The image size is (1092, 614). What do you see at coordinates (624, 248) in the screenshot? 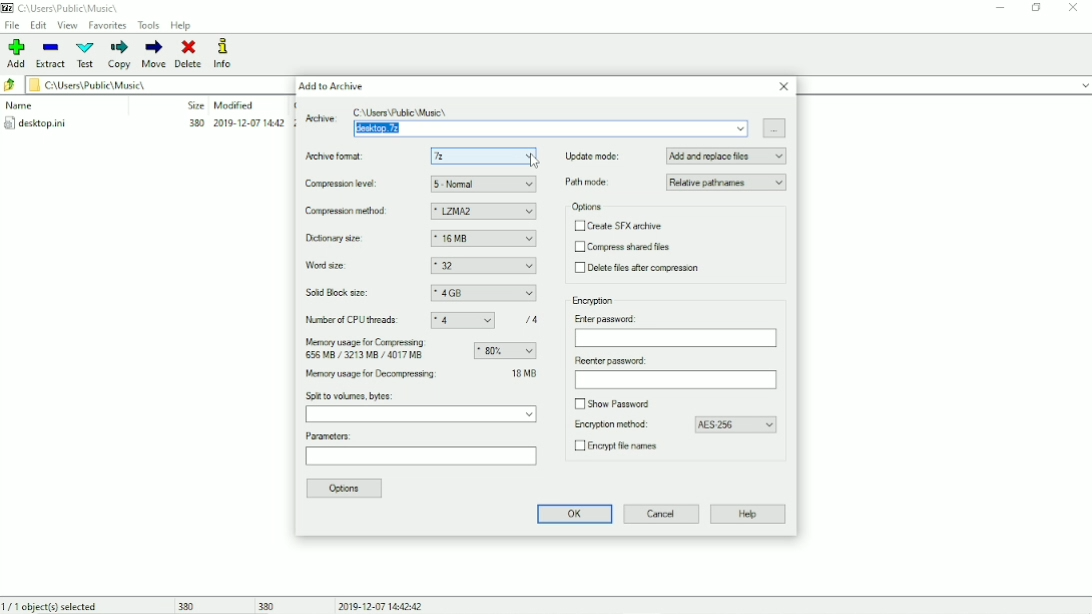
I see `Compress shared files` at bounding box center [624, 248].